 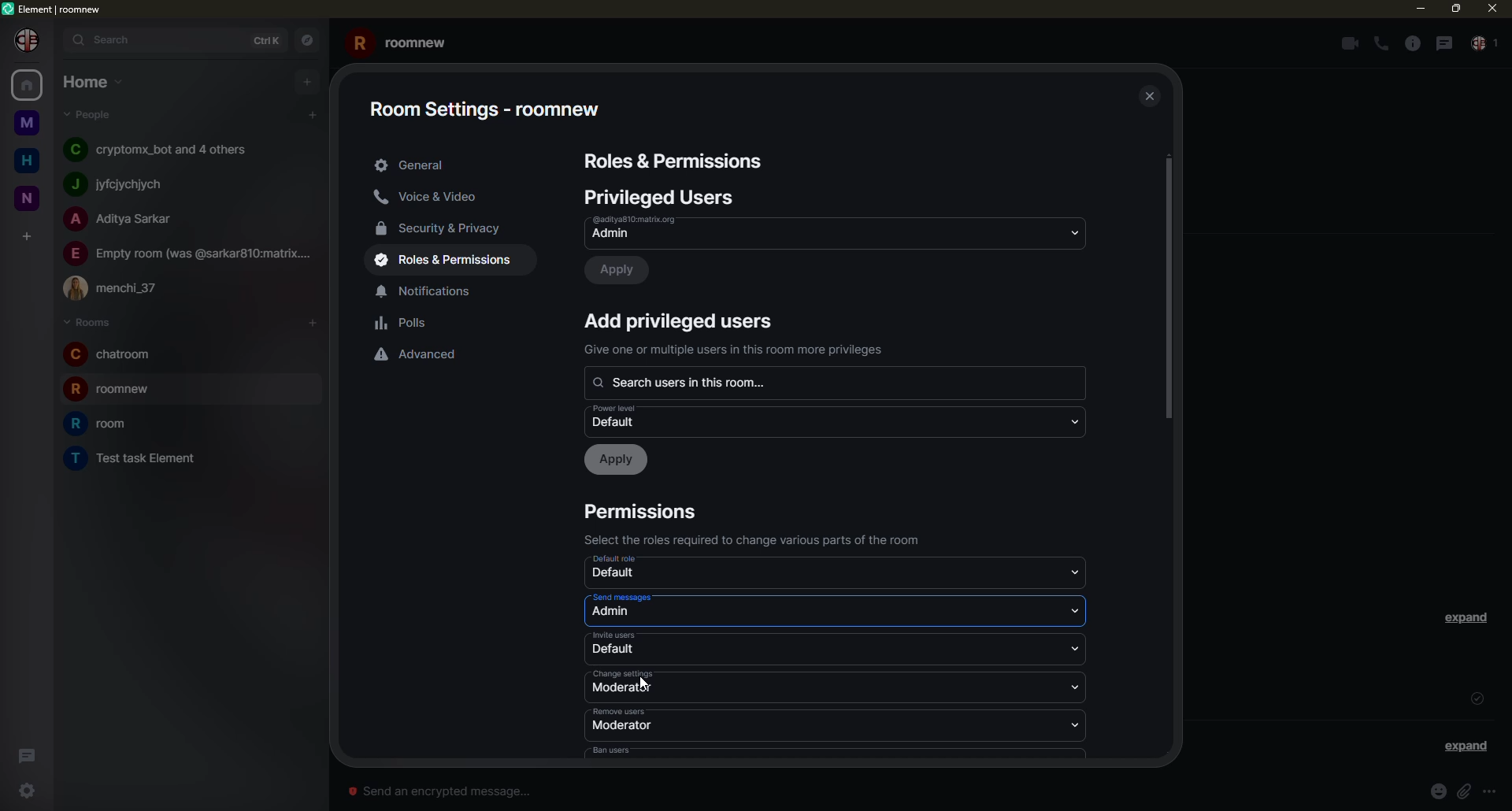 I want to click on expand, so click(x=1466, y=746).